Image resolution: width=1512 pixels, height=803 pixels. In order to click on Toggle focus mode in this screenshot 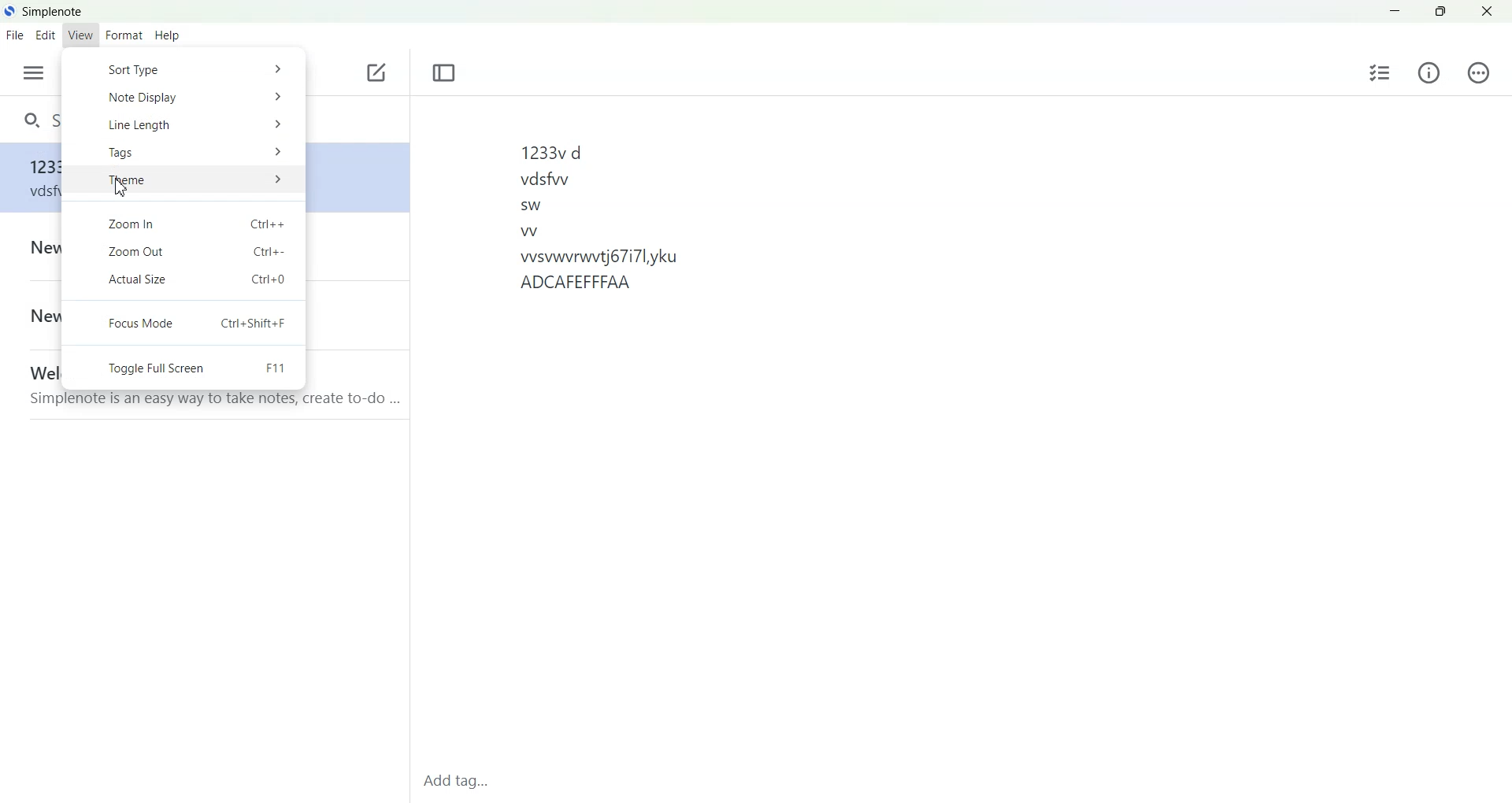, I will do `click(443, 73)`.